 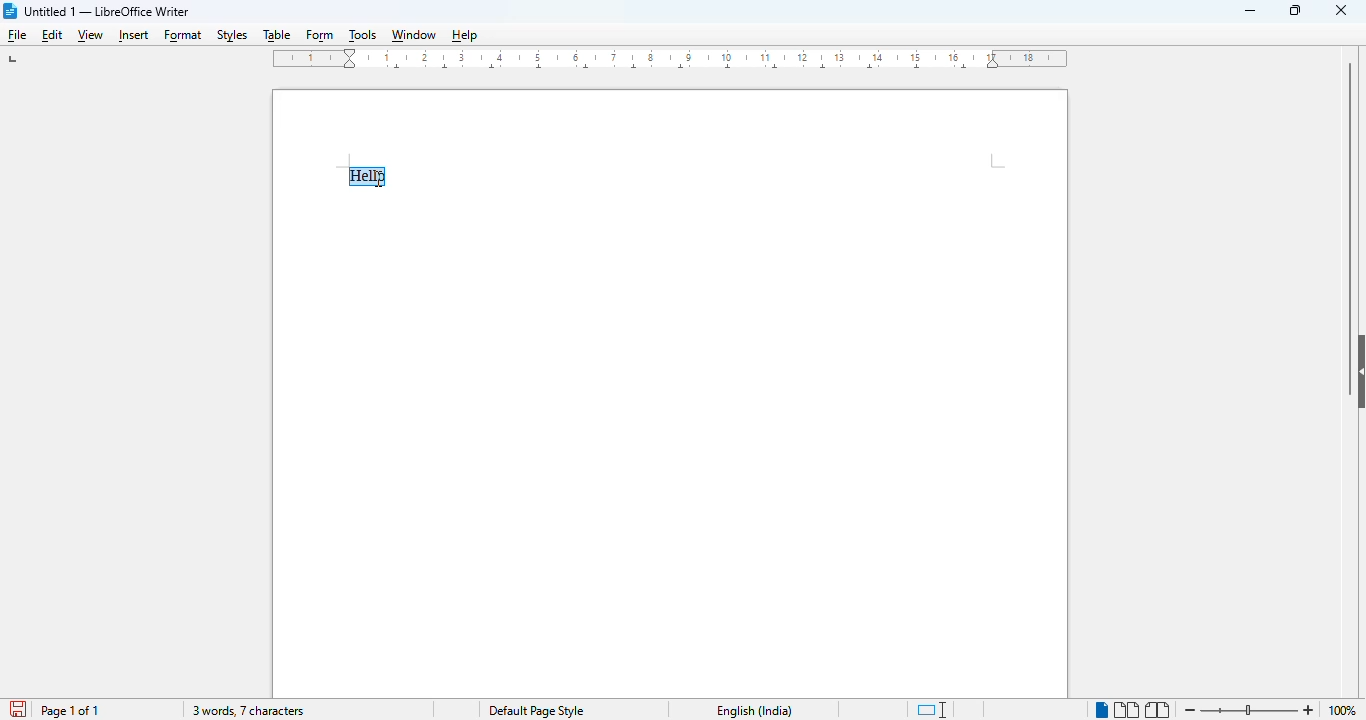 What do you see at coordinates (1341, 9) in the screenshot?
I see `close` at bounding box center [1341, 9].